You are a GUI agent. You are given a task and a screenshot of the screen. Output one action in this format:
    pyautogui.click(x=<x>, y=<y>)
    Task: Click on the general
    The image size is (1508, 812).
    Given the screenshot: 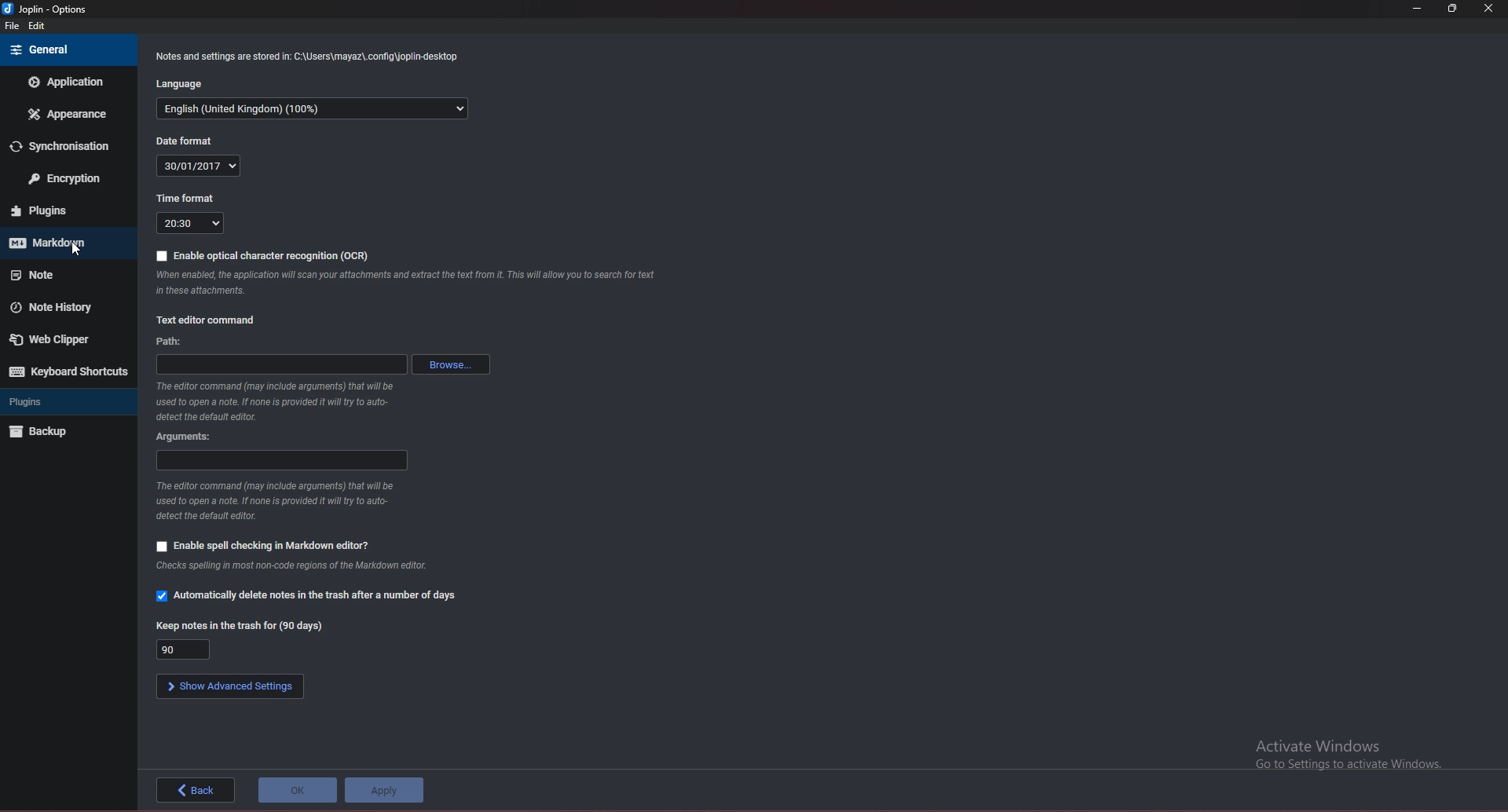 What is the action you would take?
    pyautogui.click(x=69, y=49)
    